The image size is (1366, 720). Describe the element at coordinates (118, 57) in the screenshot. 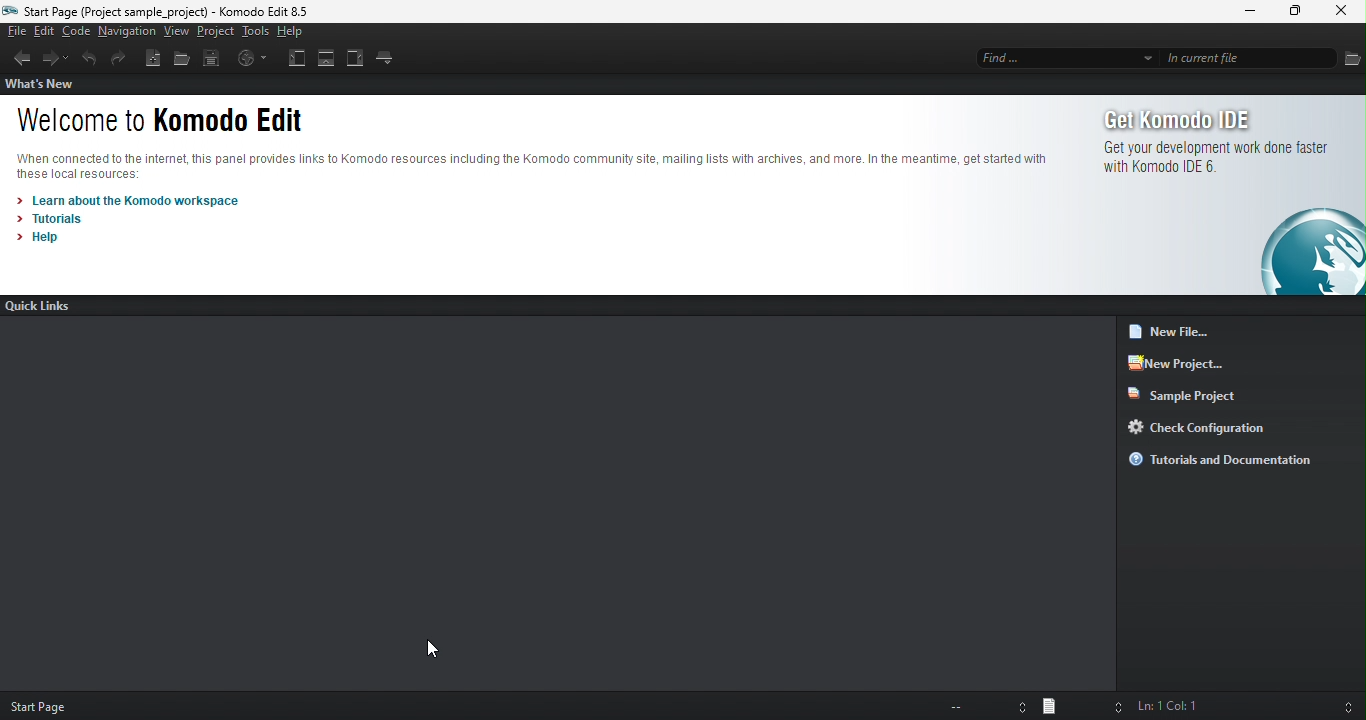

I see `redo` at that location.